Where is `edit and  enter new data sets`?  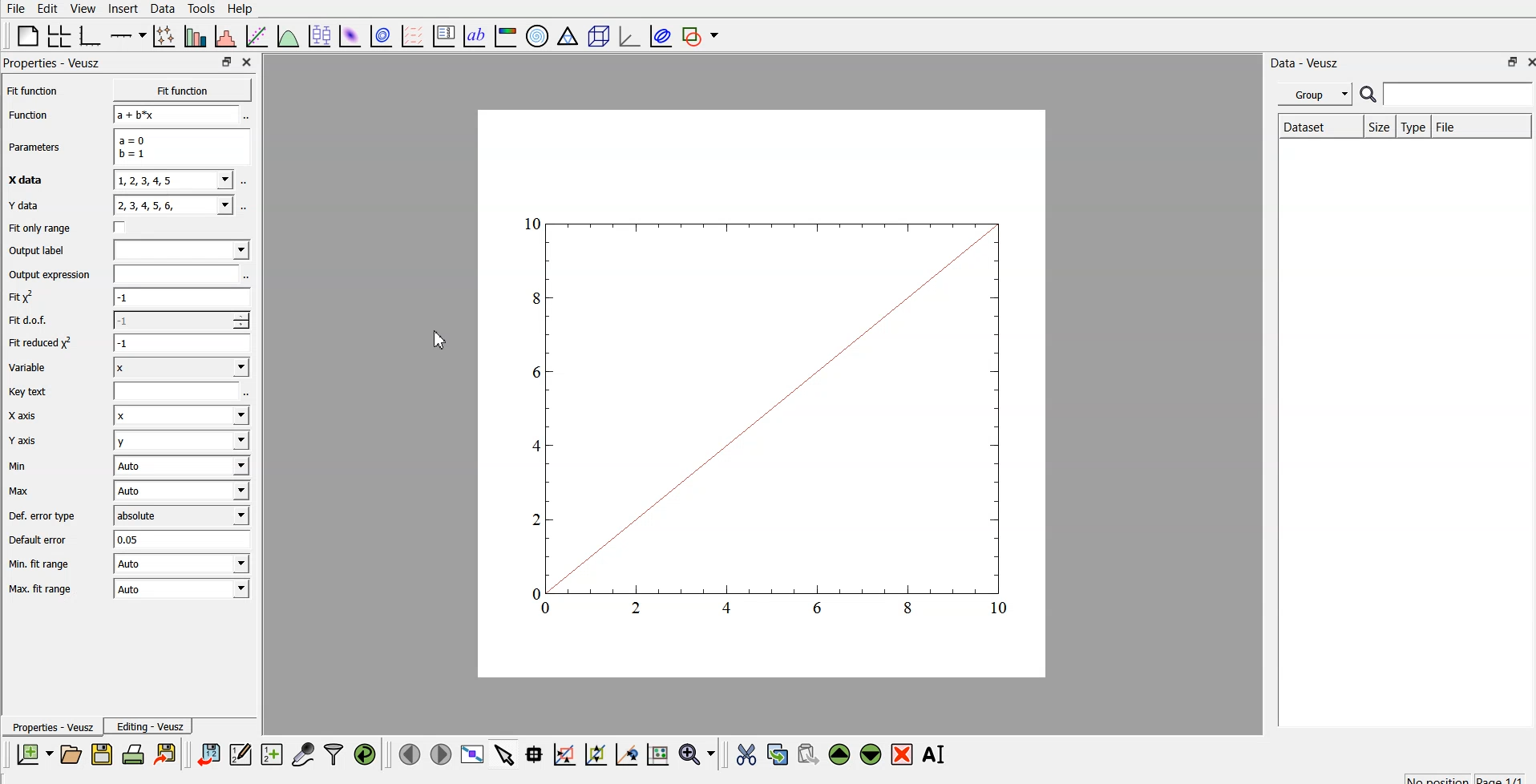
edit and  enter new data sets is located at coordinates (243, 755).